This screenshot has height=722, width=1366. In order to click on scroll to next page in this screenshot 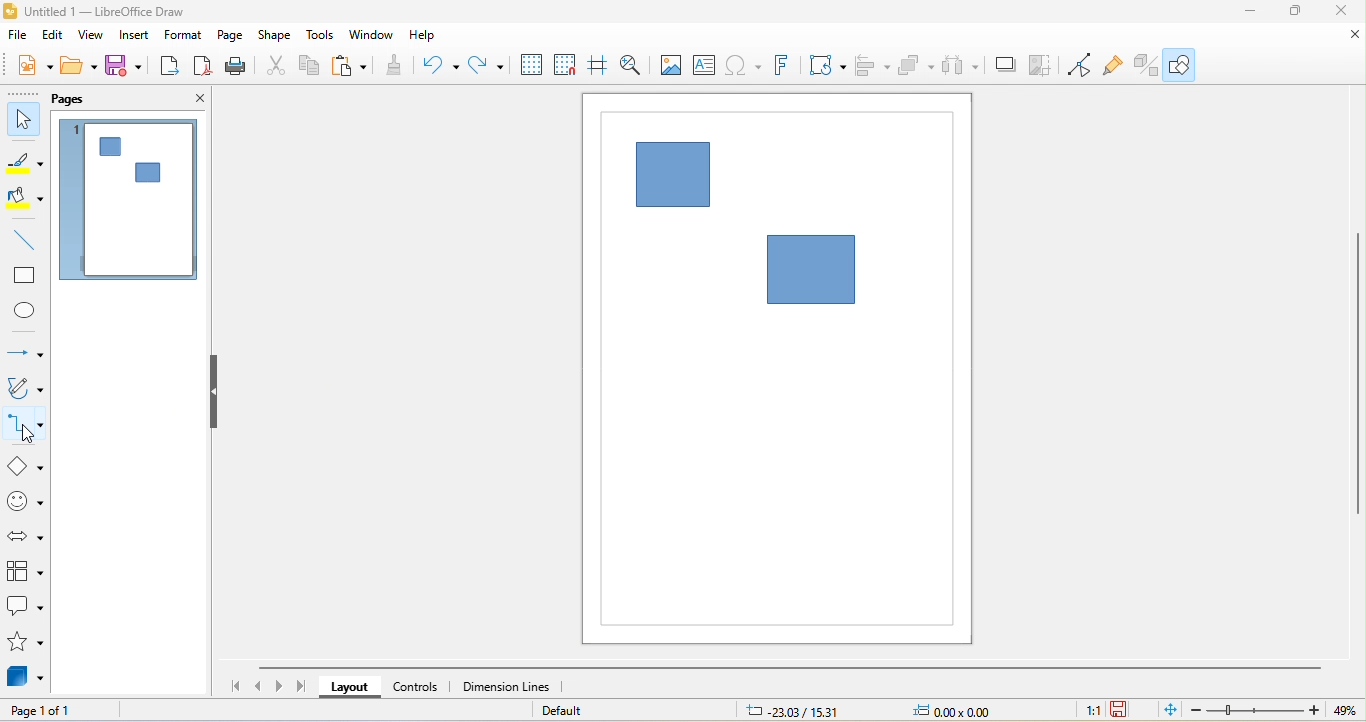, I will do `click(280, 688)`.